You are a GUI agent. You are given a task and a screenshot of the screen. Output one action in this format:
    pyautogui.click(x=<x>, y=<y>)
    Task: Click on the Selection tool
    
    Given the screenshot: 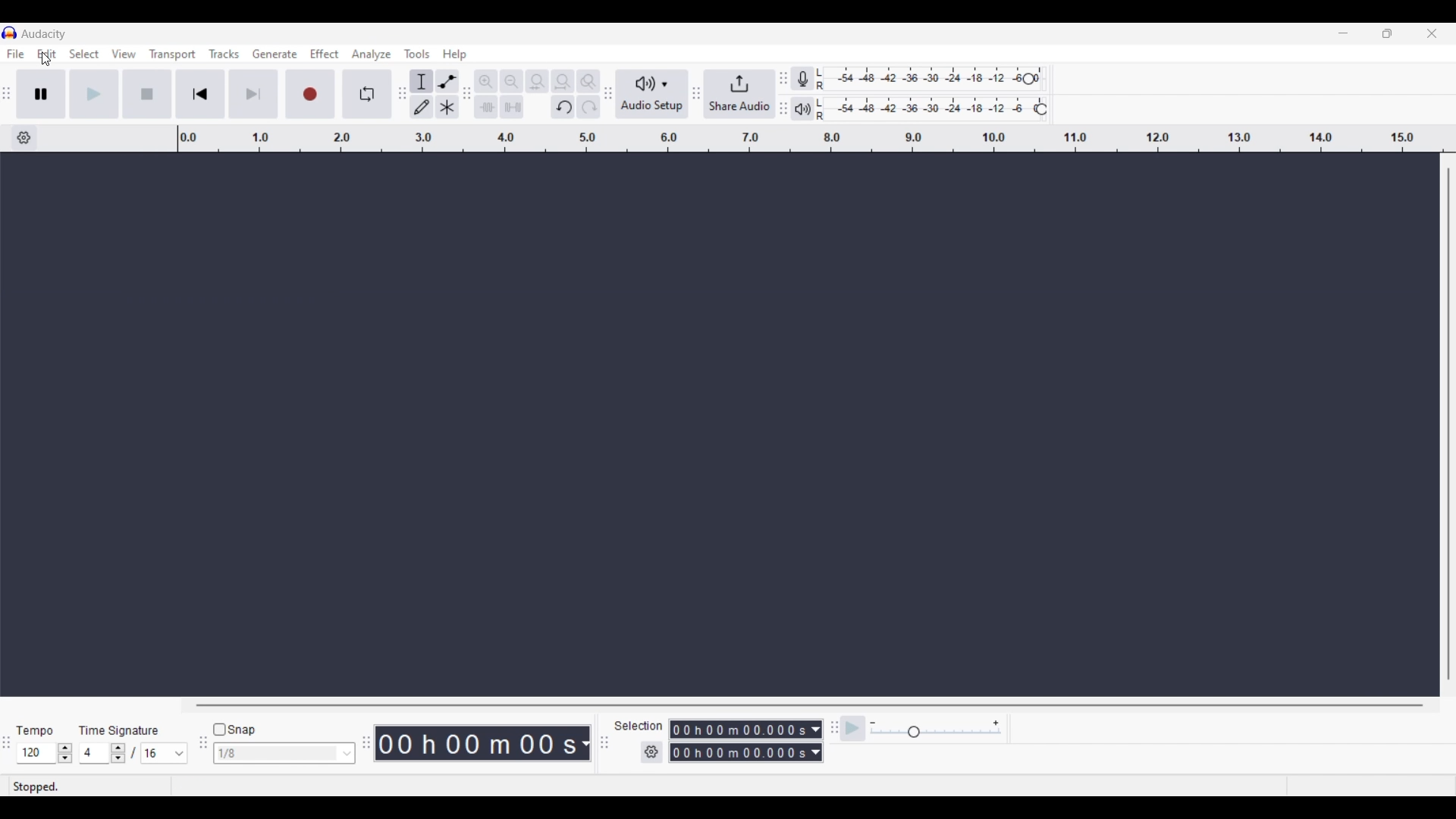 What is the action you would take?
    pyautogui.click(x=422, y=81)
    